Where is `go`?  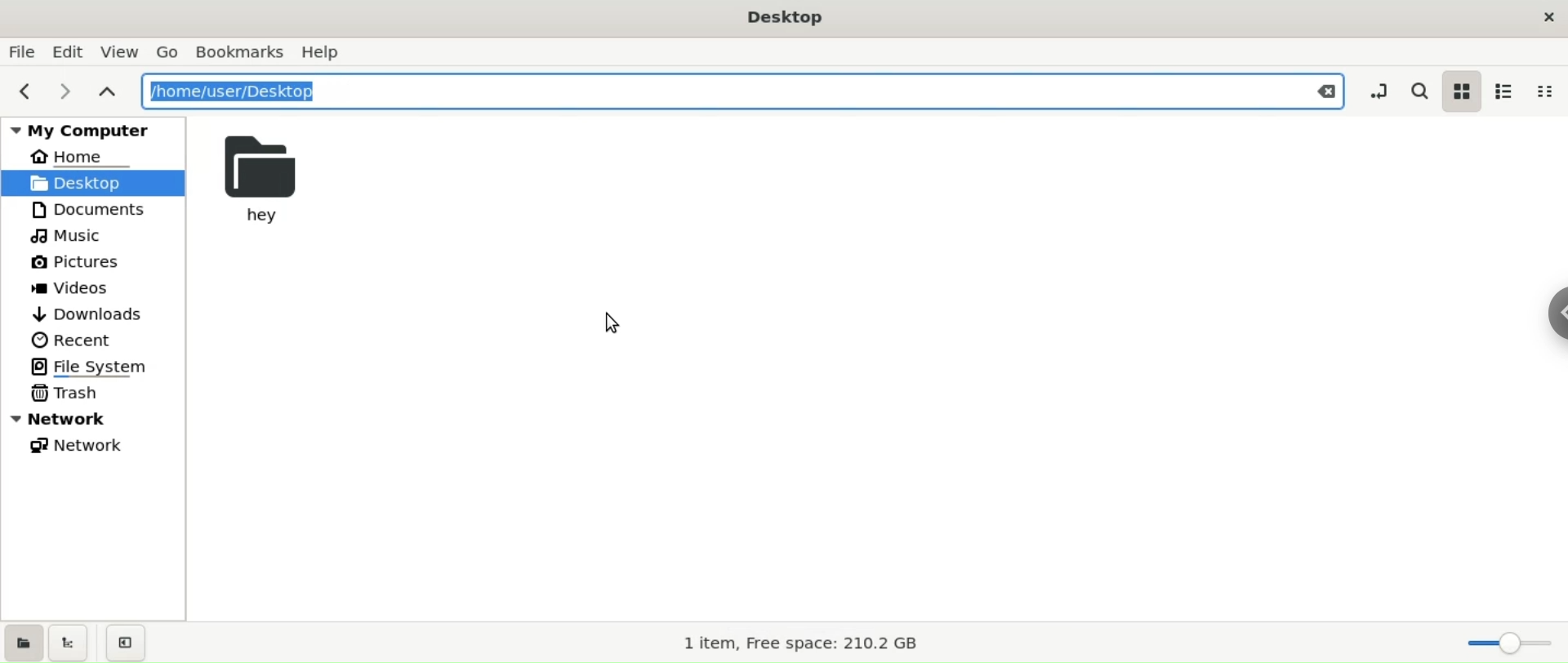
go is located at coordinates (171, 51).